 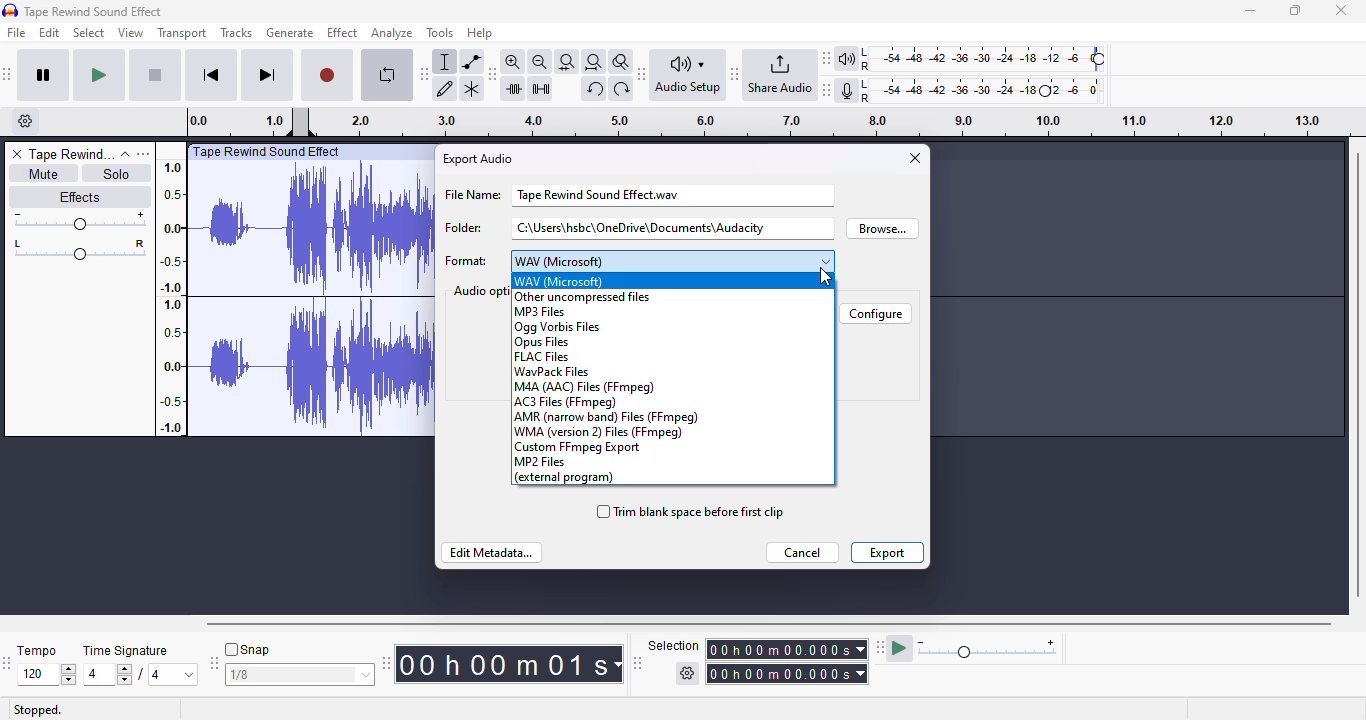 I want to click on custom FFmpeg Export, so click(x=579, y=447).